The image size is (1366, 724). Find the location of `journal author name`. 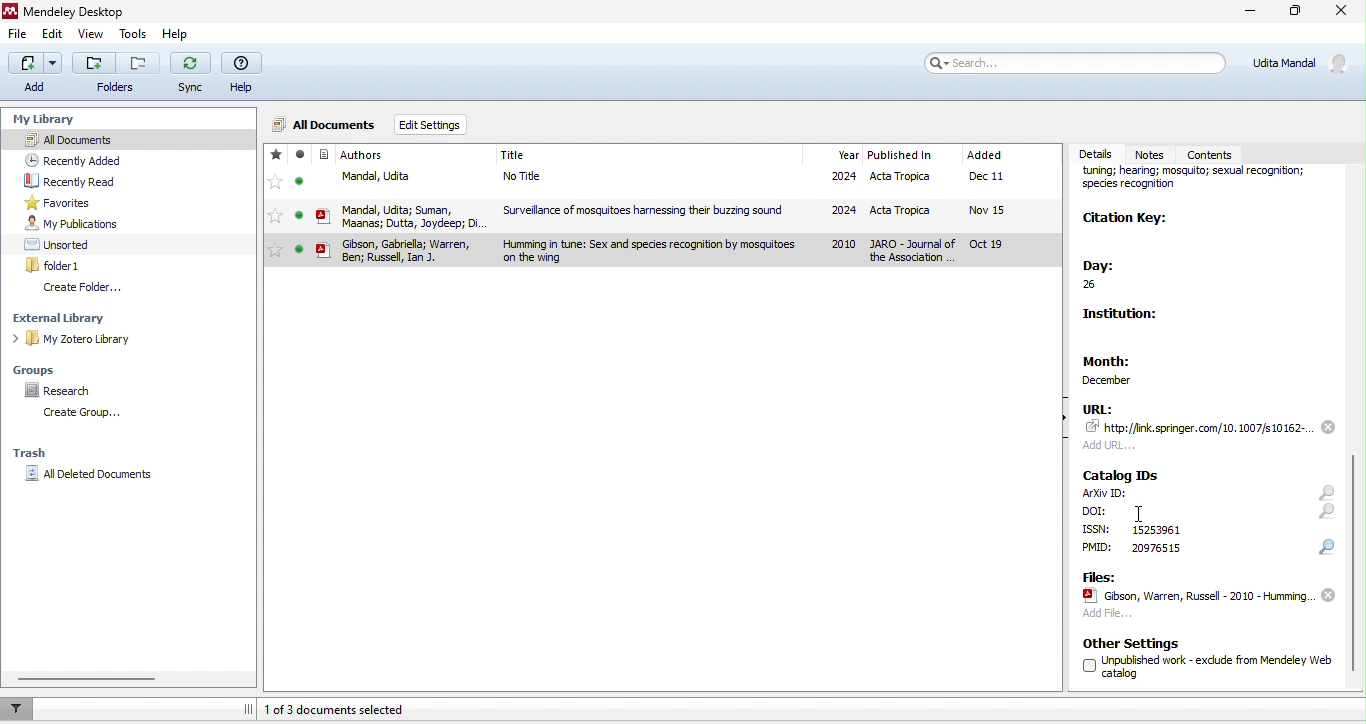

journal author name is located at coordinates (363, 155).